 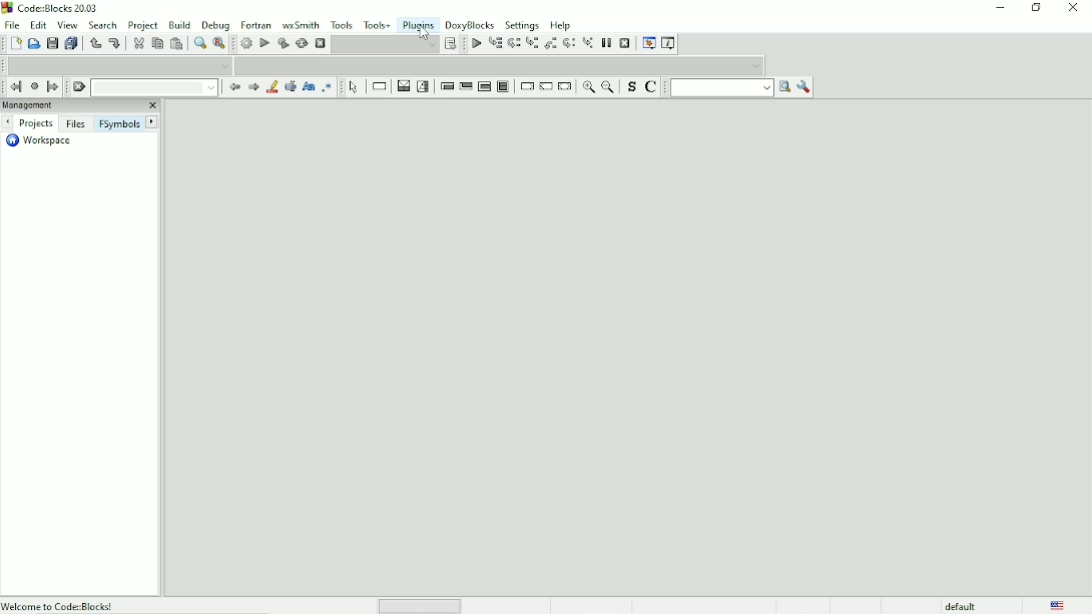 I want to click on Minimize, so click(x=999, y=8).